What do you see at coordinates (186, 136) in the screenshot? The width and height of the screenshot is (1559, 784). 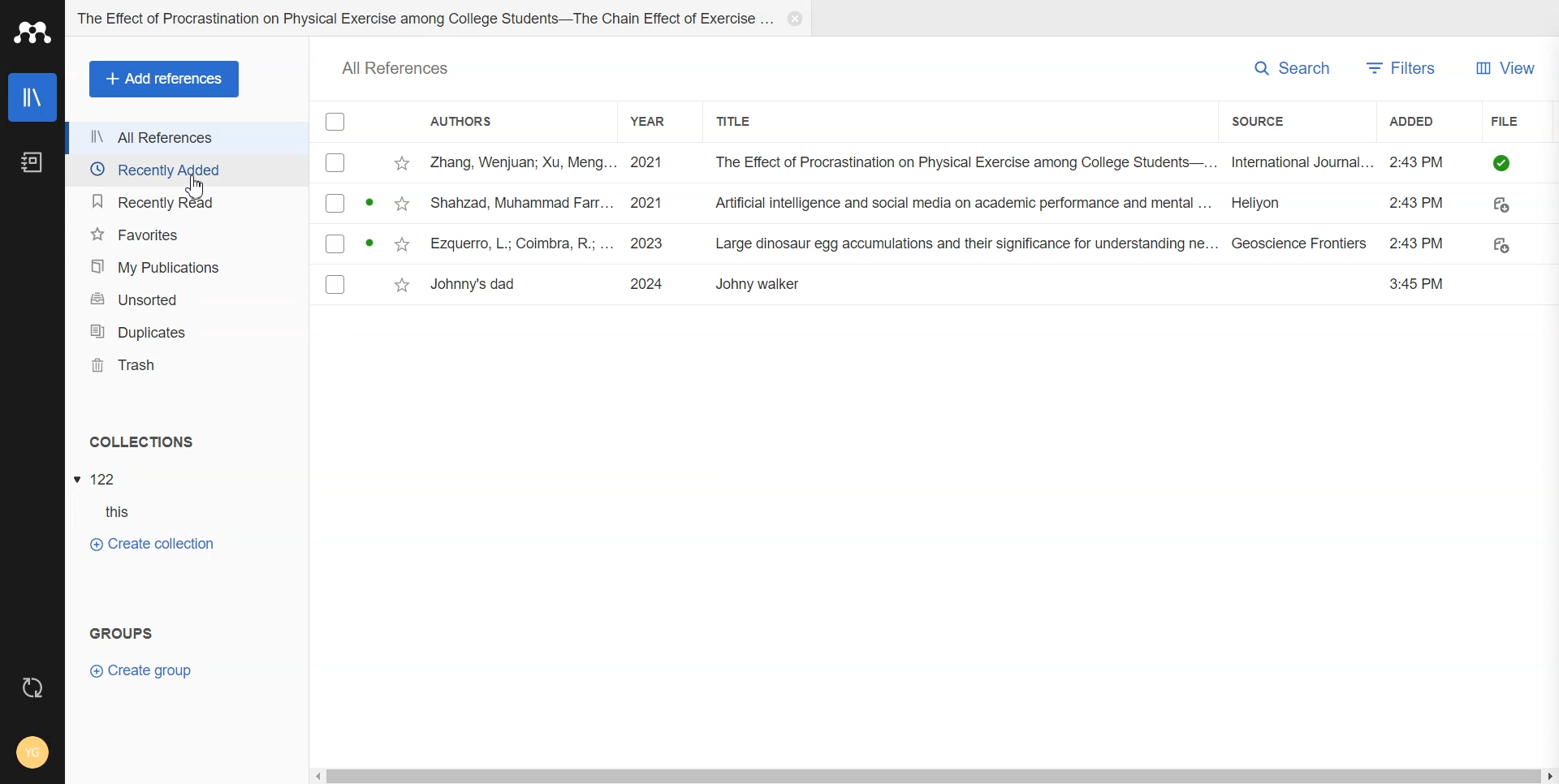 I see `All References` at bounding box center [186, 136].